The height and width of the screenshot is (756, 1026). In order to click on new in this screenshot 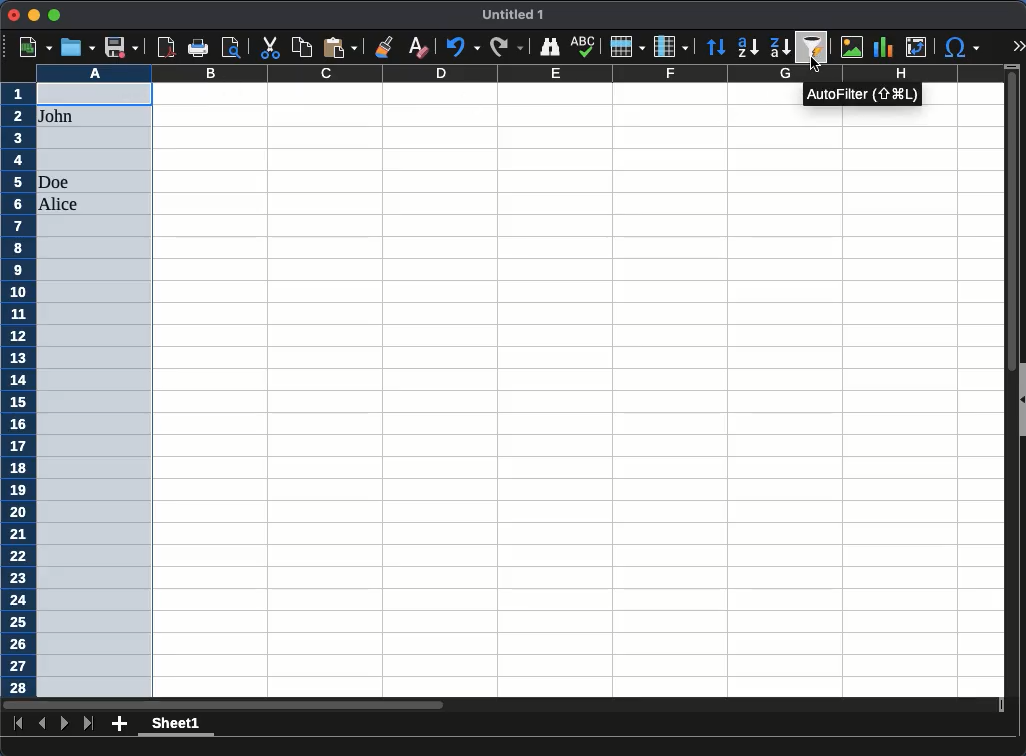, I will do `click(37, 48)`.